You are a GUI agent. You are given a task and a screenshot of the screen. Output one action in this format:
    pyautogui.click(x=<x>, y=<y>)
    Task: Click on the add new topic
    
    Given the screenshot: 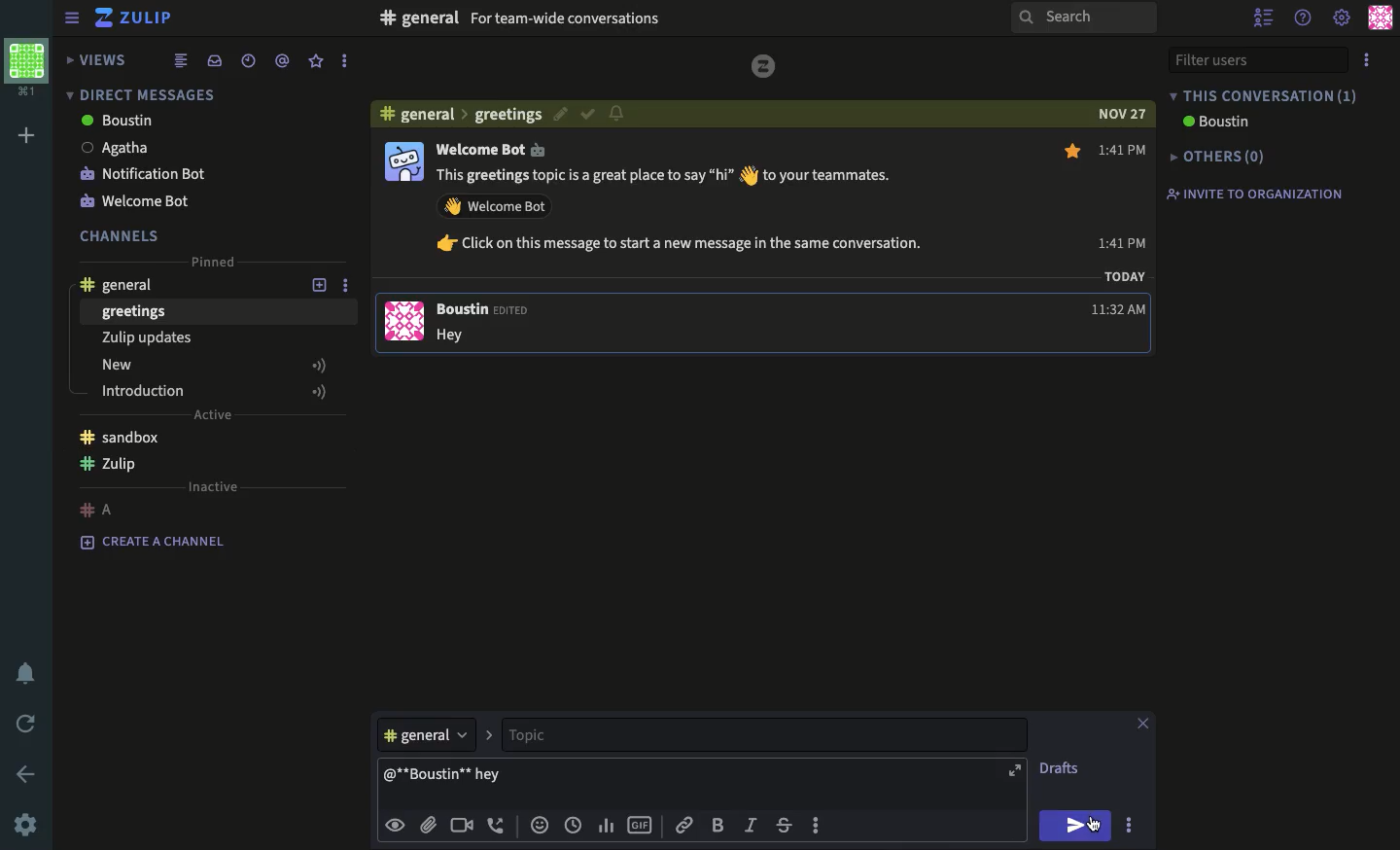 What is the action you would take?
    pyautogui.click(x=320, y=287)
    